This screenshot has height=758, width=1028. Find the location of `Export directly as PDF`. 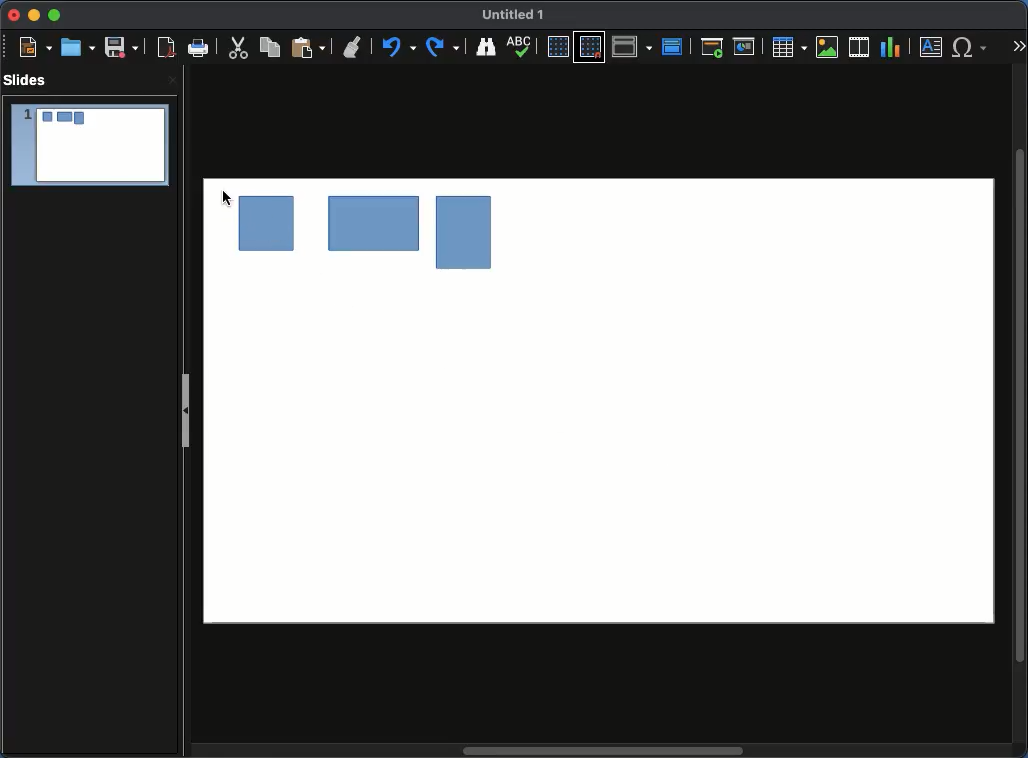

Export directly as PDF is located at coordinates (163, 48).